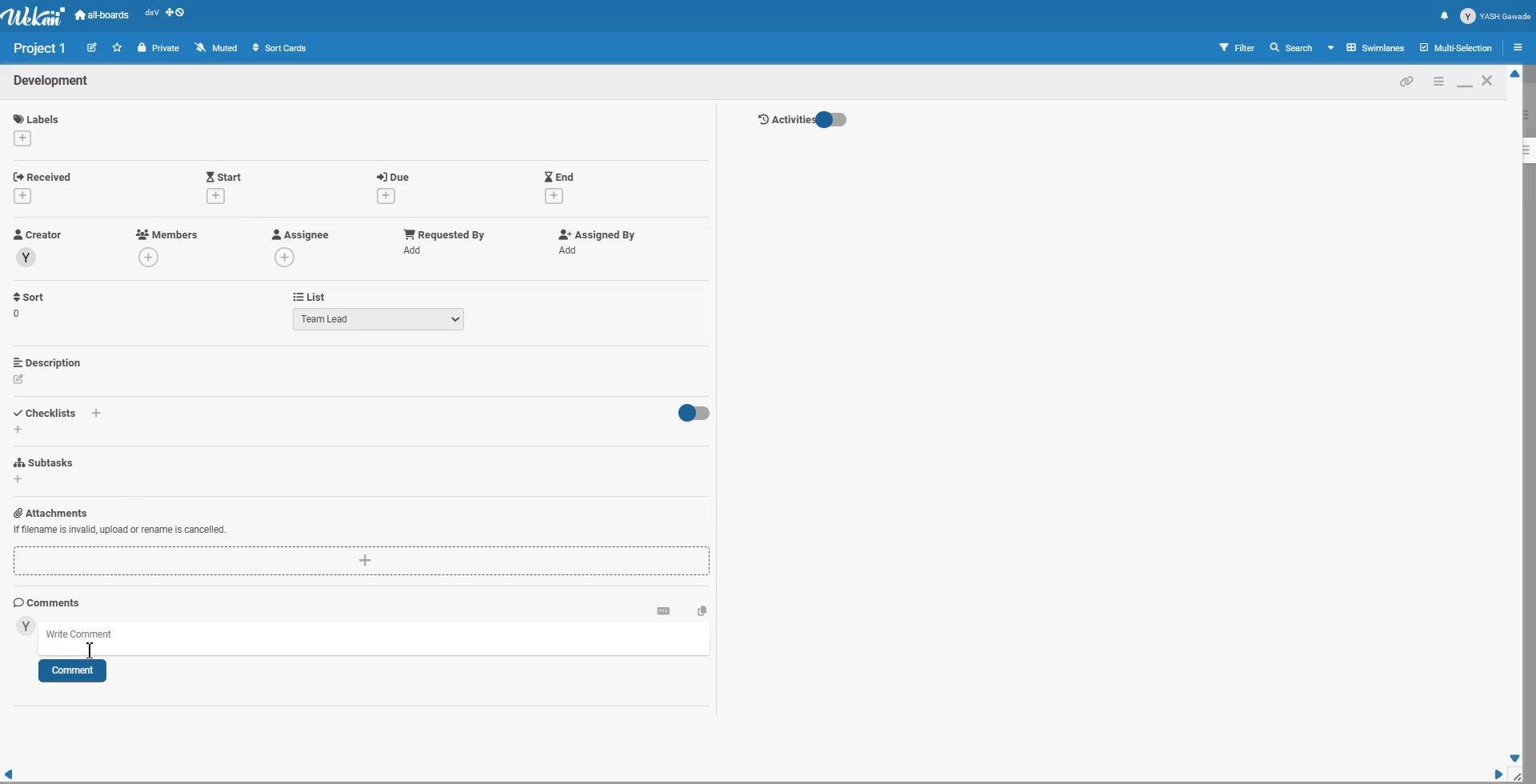 This screenshot has height=784, width=1536. What do you see at coordinates (22, 138) in the screenshot?
I see `add` at bounding box center [22, 138].